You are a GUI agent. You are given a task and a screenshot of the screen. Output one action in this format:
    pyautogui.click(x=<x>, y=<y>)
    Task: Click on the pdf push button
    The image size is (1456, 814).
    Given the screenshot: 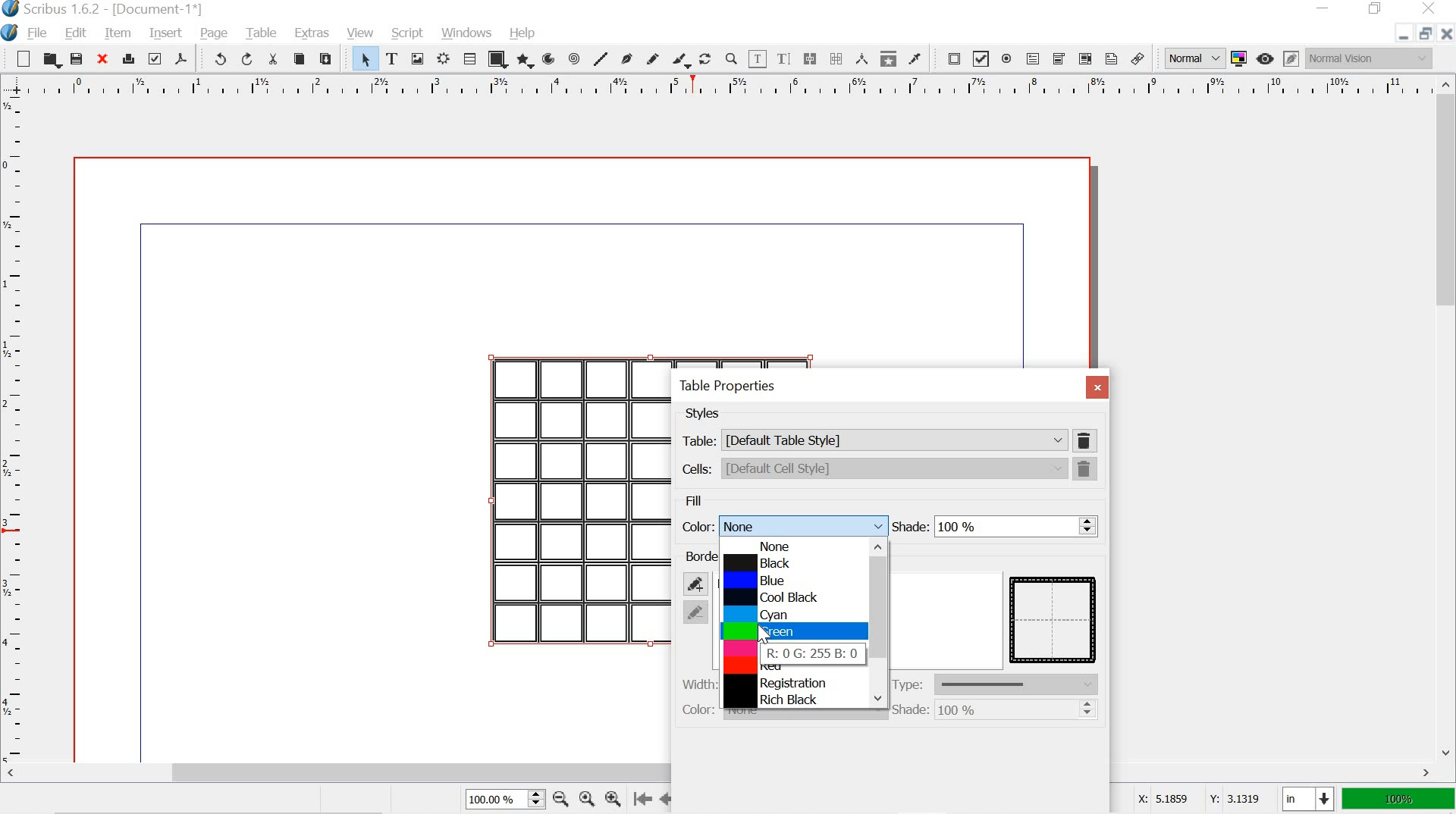 What is the action you would take?
    pyautogui.click(x=950, y=58)
    